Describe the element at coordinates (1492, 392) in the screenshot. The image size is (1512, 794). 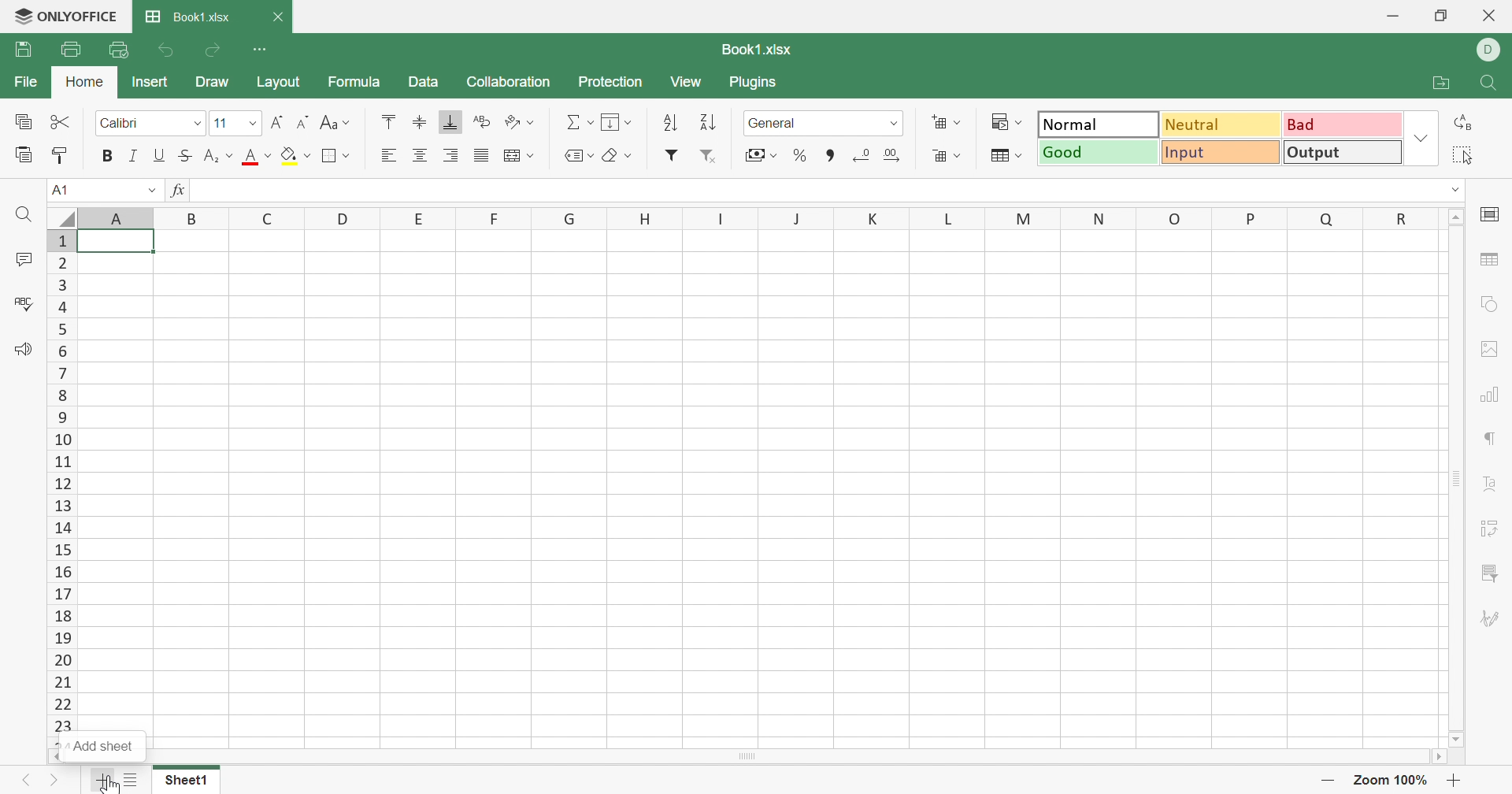
I see `Chart settings` at that location.